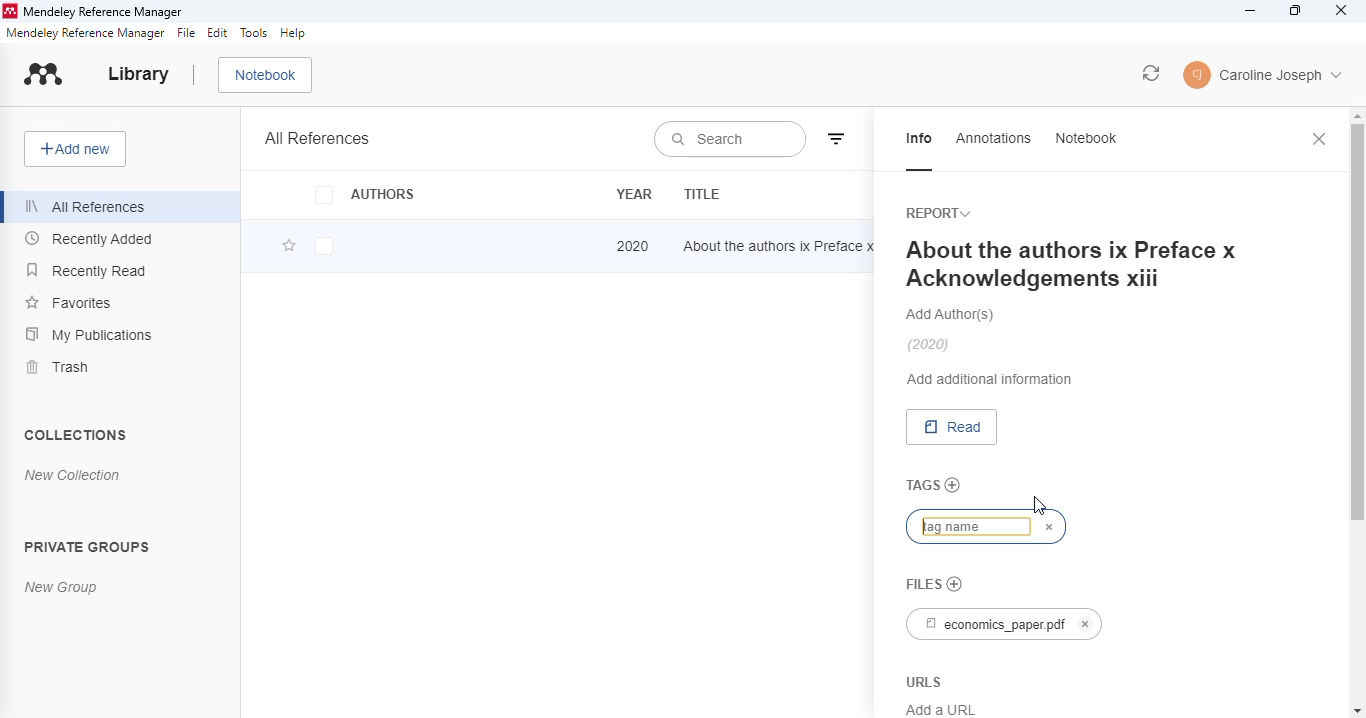  I want to click on notebook, so click(265, 75).